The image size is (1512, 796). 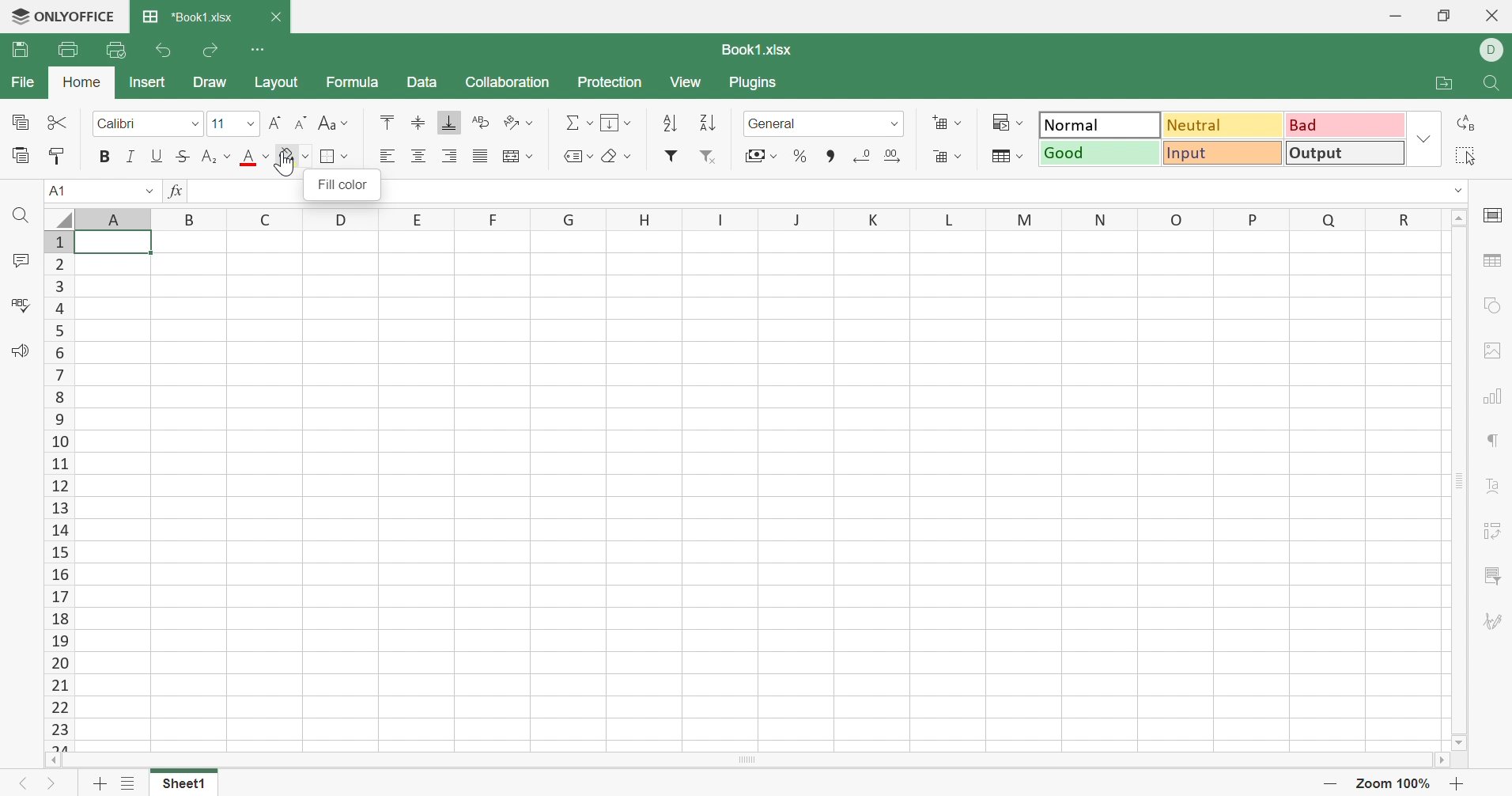 What do you see at coordinates (481, 154) in the screenshot?
I see `Justified` at bounding box center [481, 154].